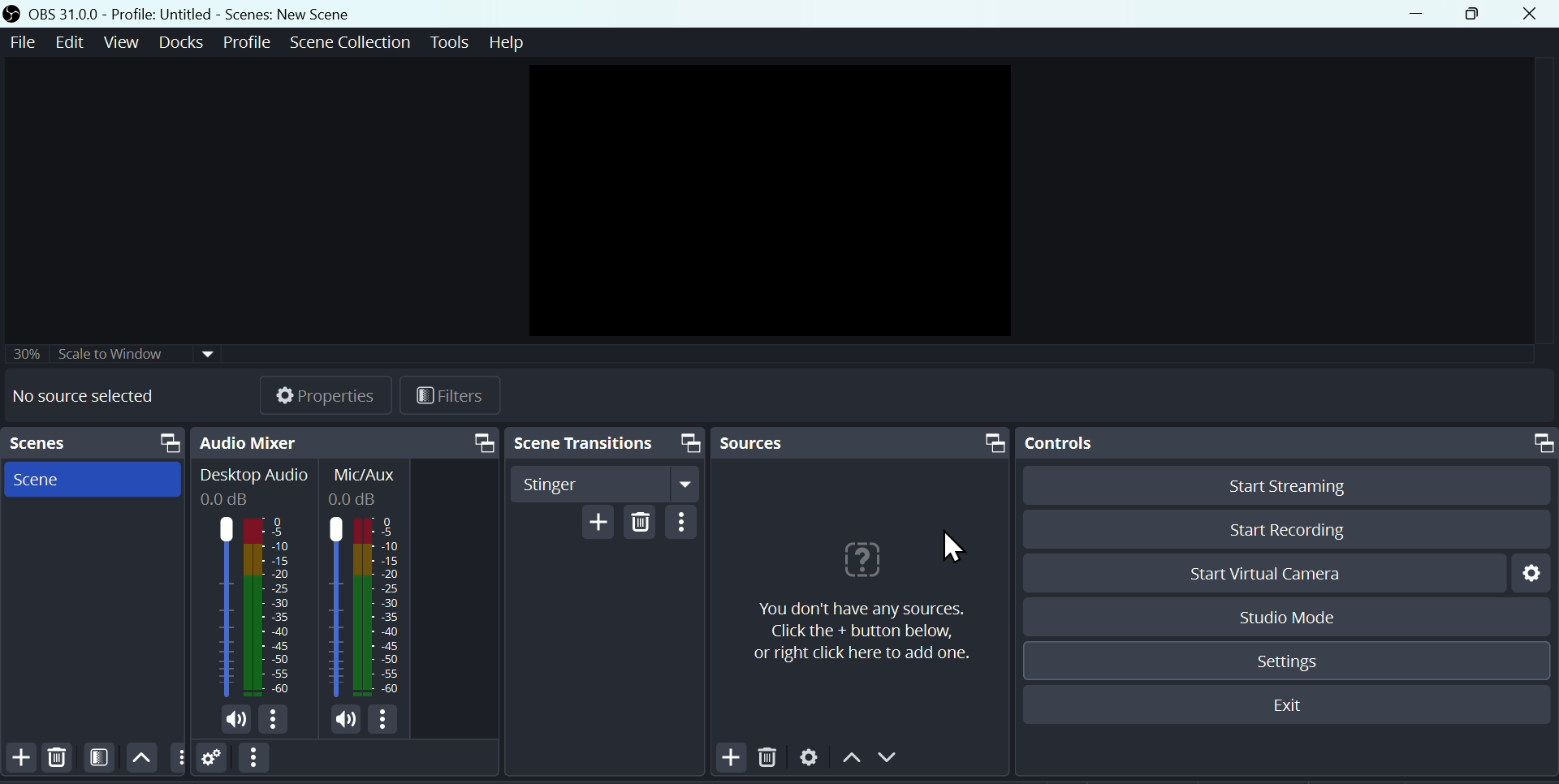 This screenshot has width=1559, height=784. Describe the element at coordinates (391, 721) in the screenshot. I see `more` at that location.